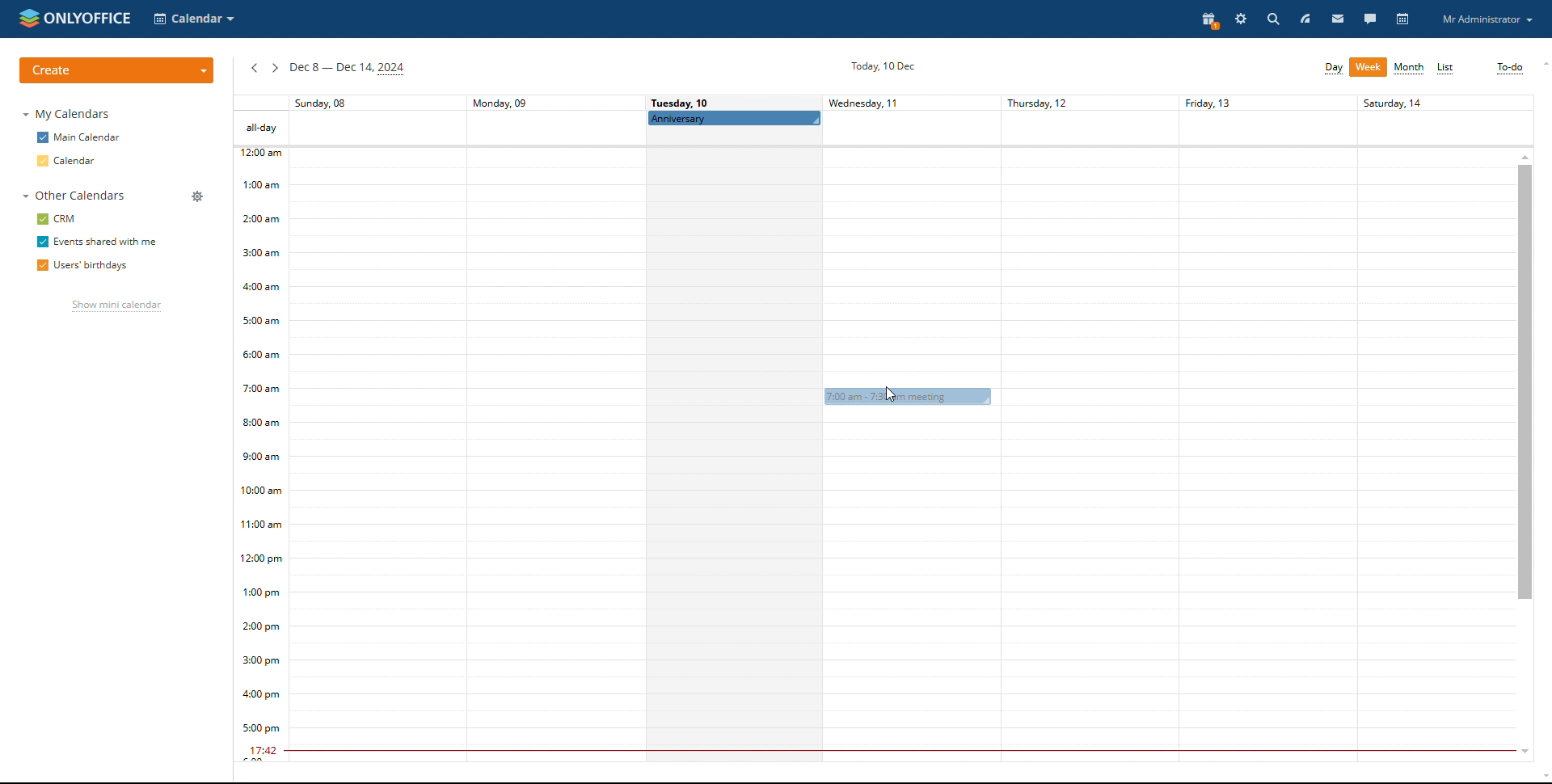  I want to click on logo, so click(75, 18).